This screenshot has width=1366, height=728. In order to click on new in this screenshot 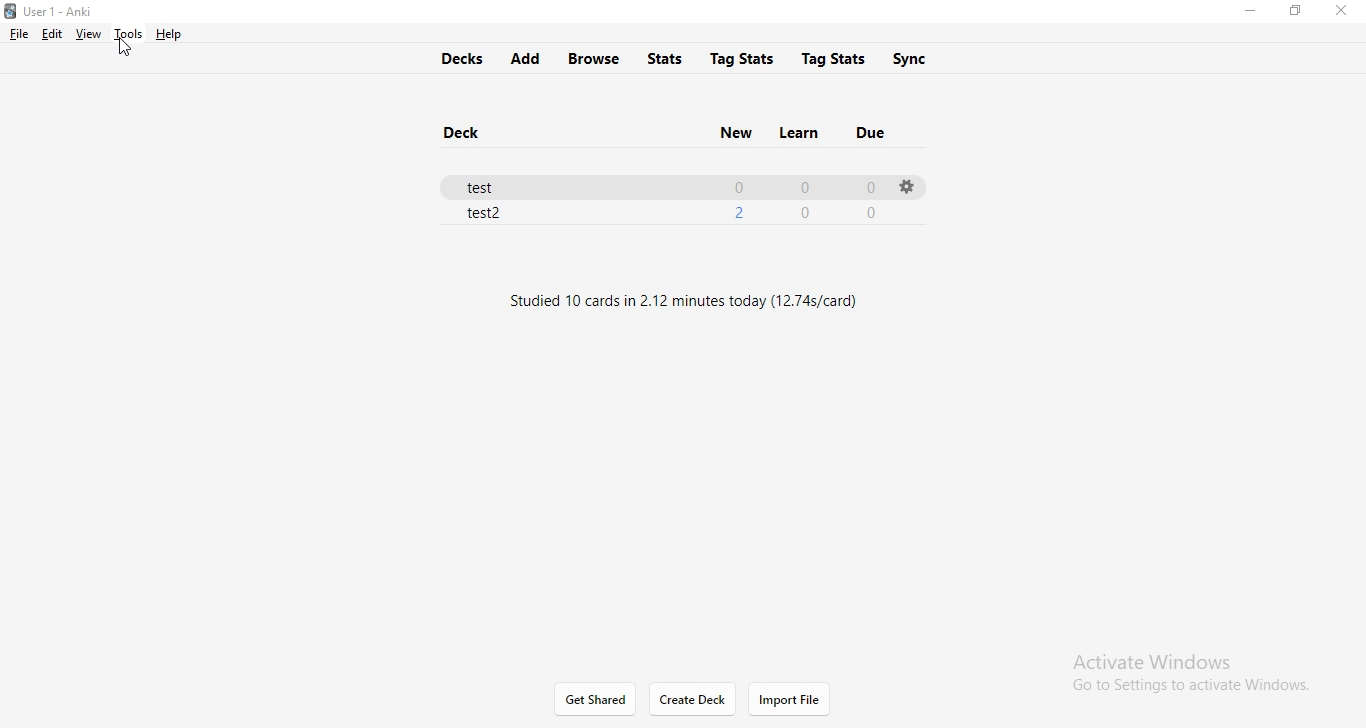, I will do `click(726, 132)`.